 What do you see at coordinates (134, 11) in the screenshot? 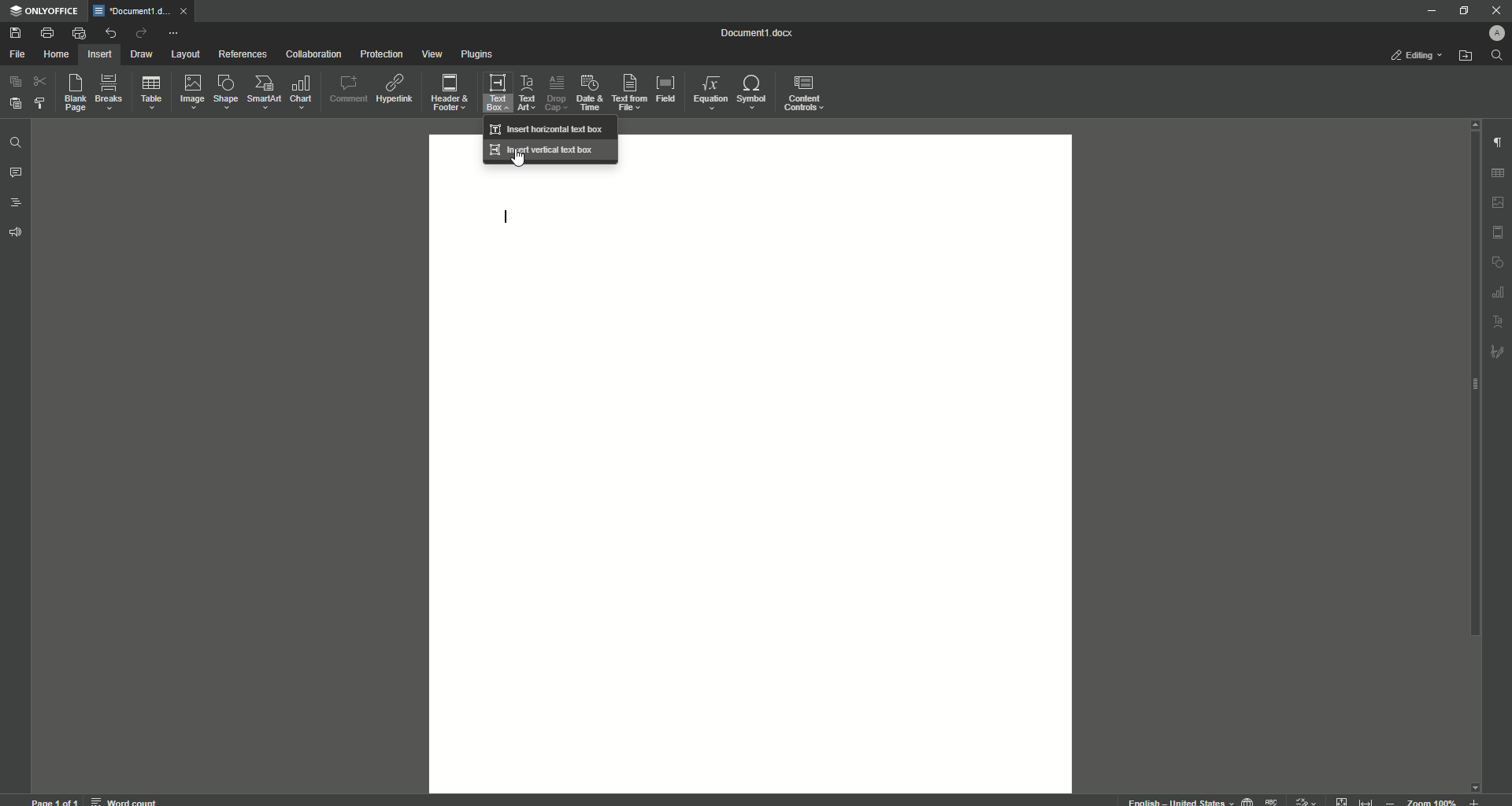
I see `Tab 1` at bounding box center [134, 11].